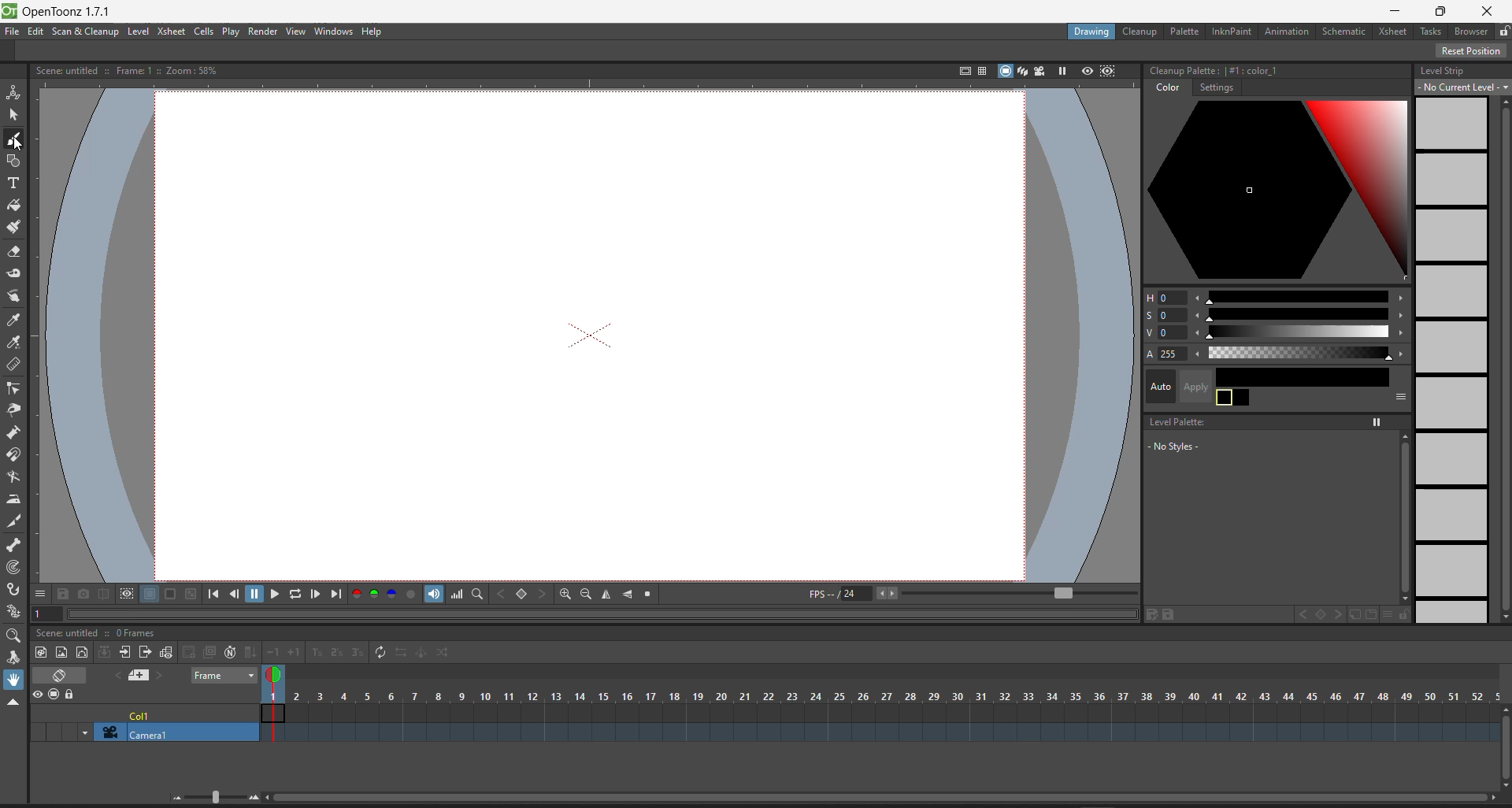  Describe the element at coordinates (137, 676) in the screenshot. I see `add new memo` at that location.